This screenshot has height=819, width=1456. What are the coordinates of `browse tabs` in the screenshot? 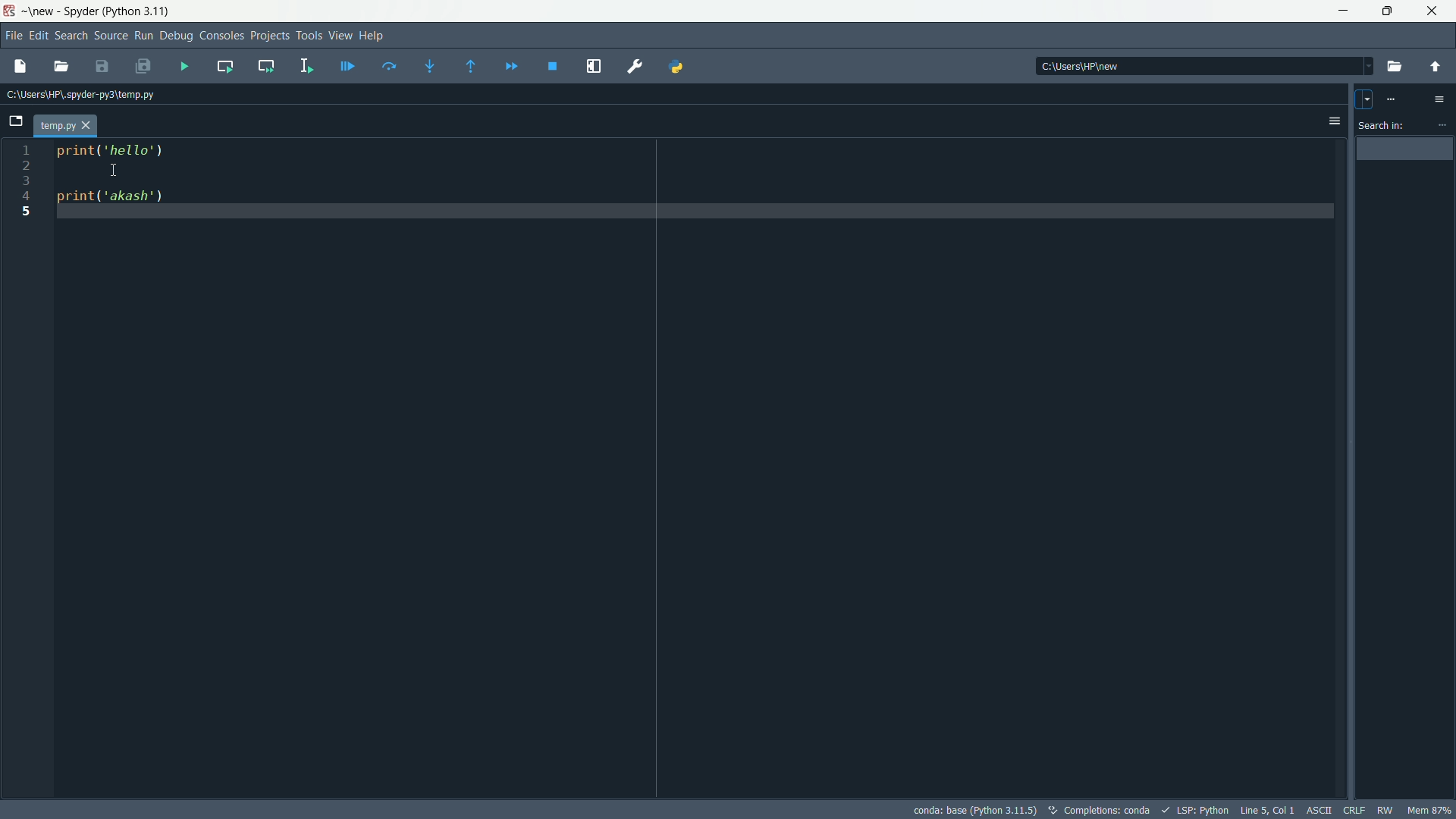 It's located at (14, 120).